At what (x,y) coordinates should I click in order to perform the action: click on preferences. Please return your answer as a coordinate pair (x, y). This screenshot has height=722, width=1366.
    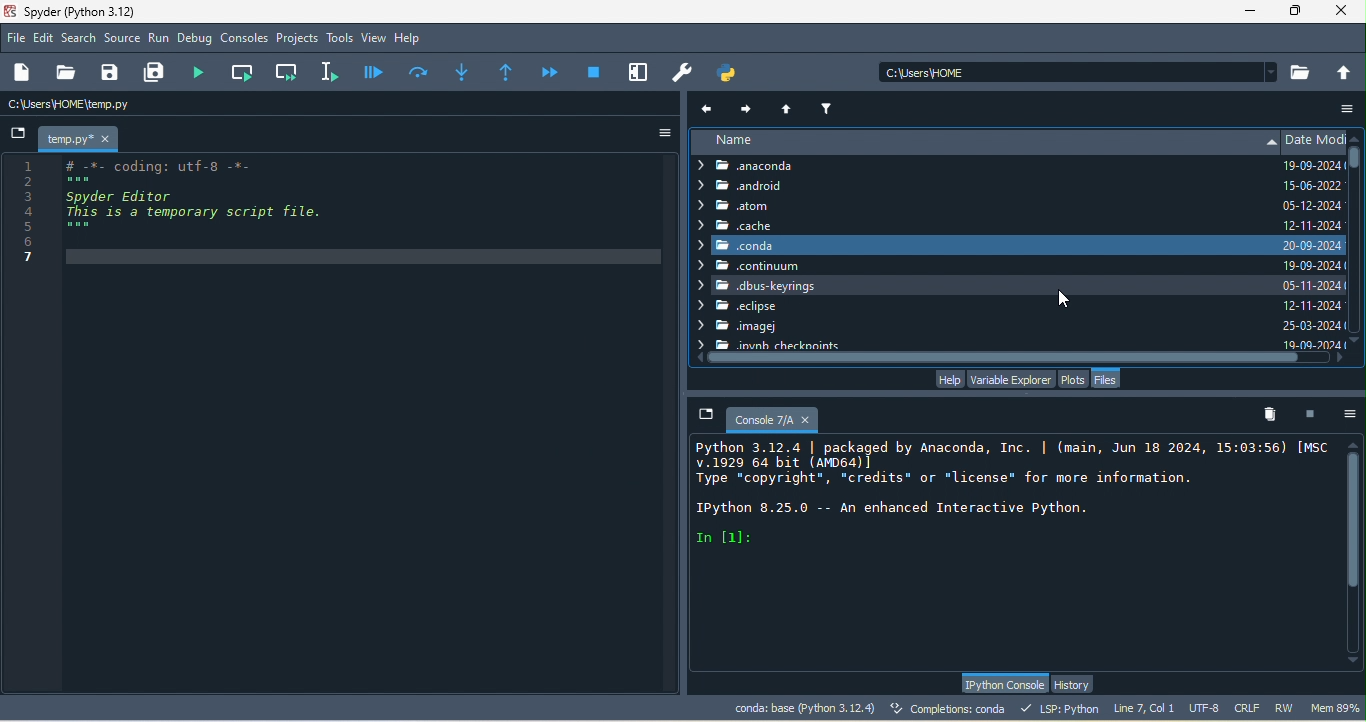
    Looking at the image, I should click on (684, 73).